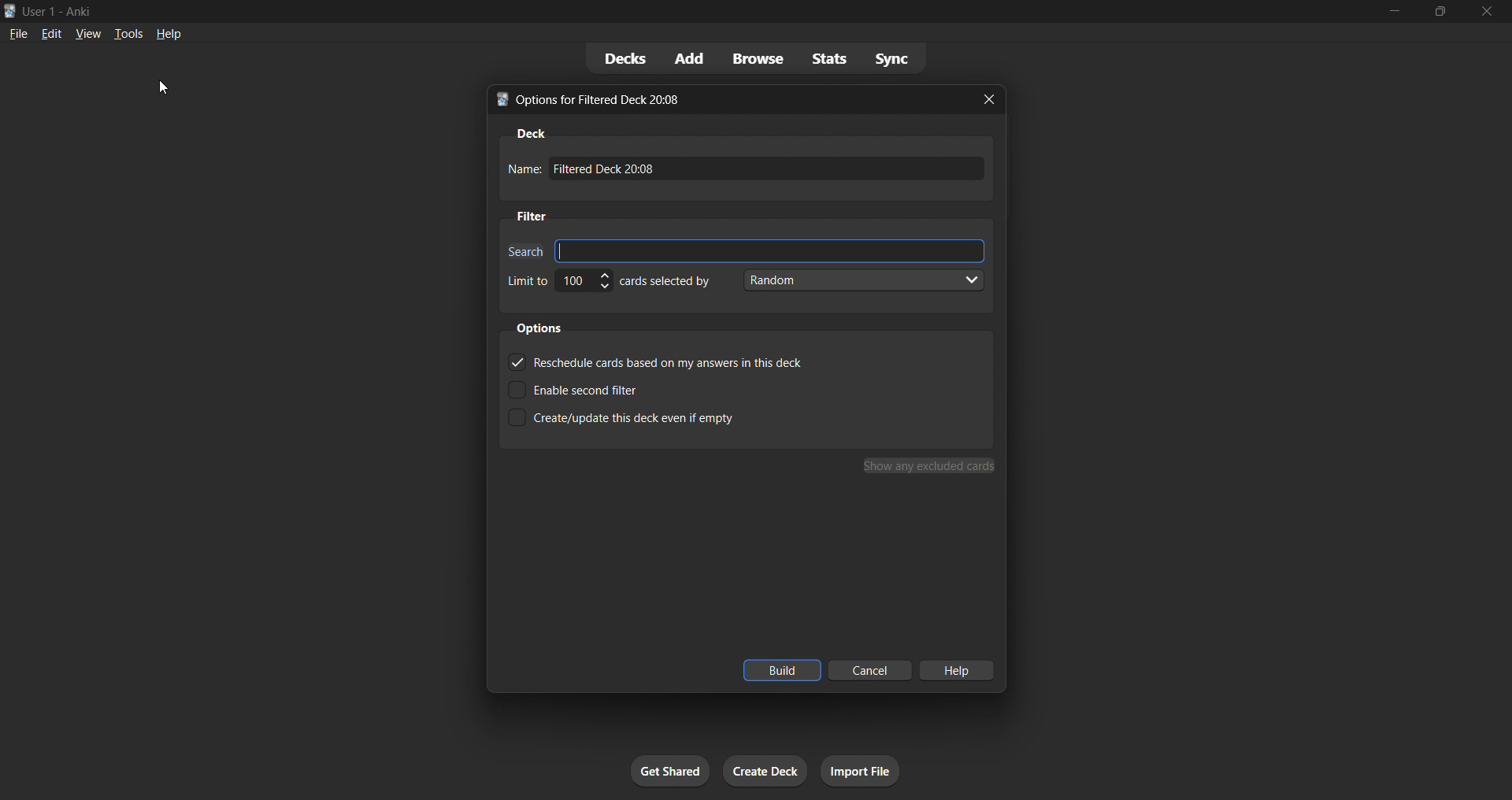 The height and width of the screenshot is (800, 1512). What do you see at coordinates (170, 35) in the screenshot?
I see `help` at bounding box center [170, 35].